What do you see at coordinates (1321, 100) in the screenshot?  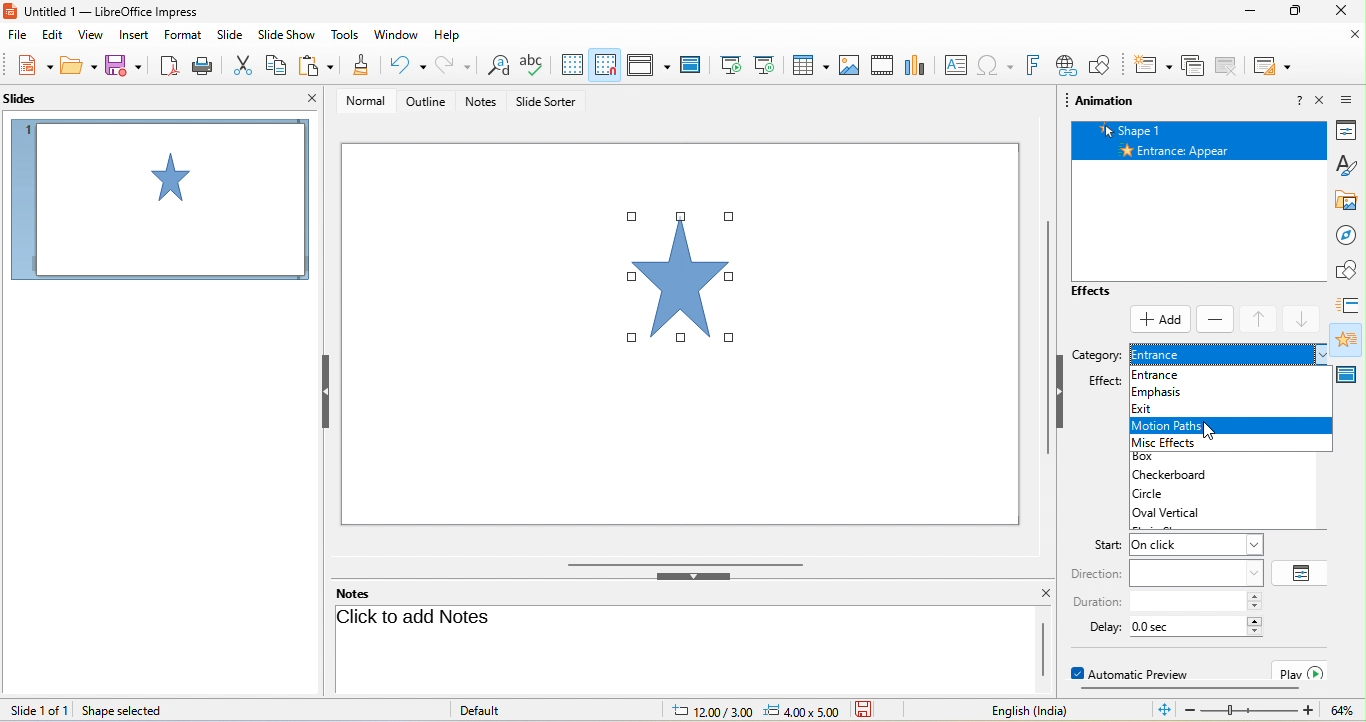 I see `close` at bounding box center [1321, 100].